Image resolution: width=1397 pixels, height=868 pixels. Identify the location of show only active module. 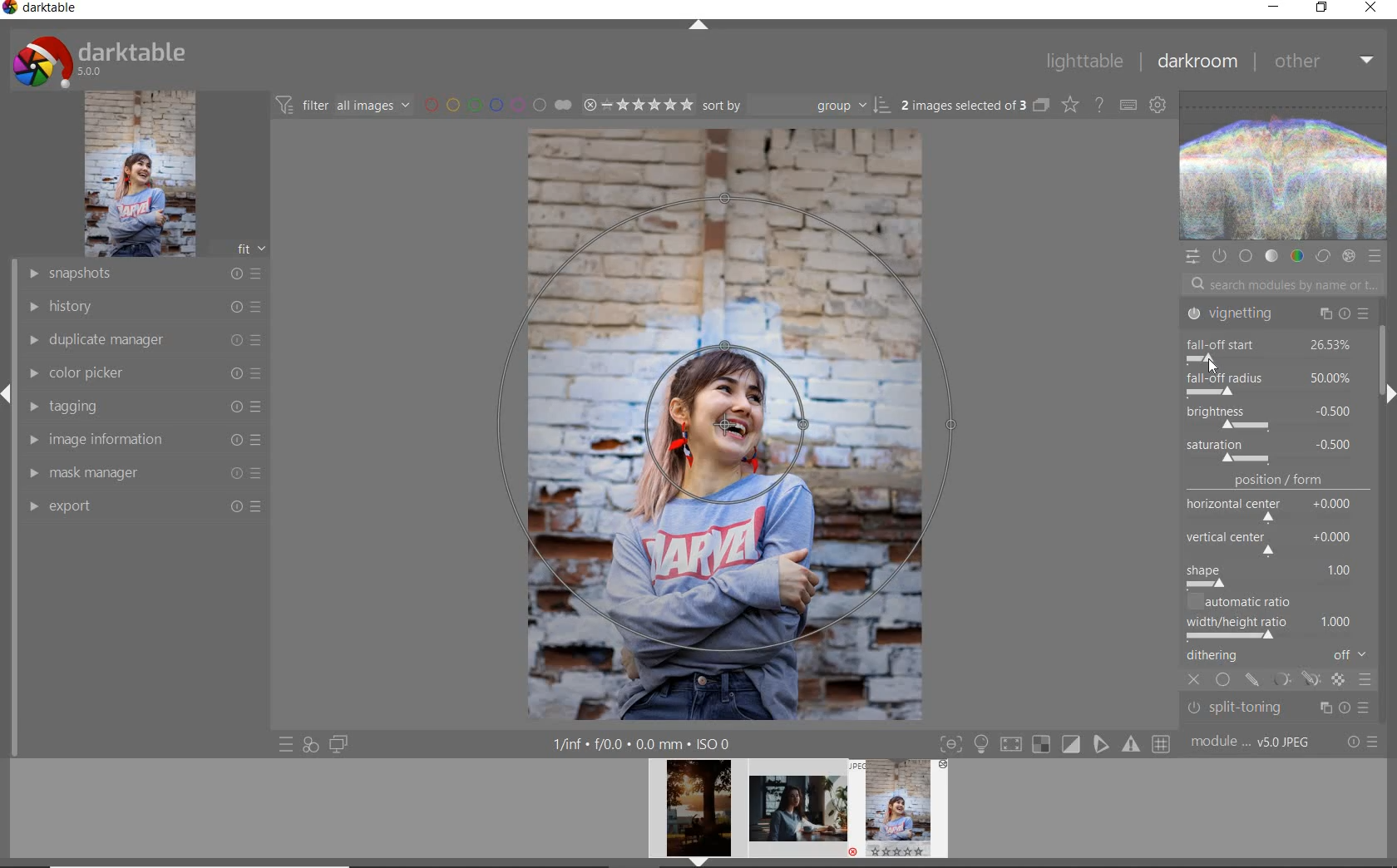
(1218, 256).